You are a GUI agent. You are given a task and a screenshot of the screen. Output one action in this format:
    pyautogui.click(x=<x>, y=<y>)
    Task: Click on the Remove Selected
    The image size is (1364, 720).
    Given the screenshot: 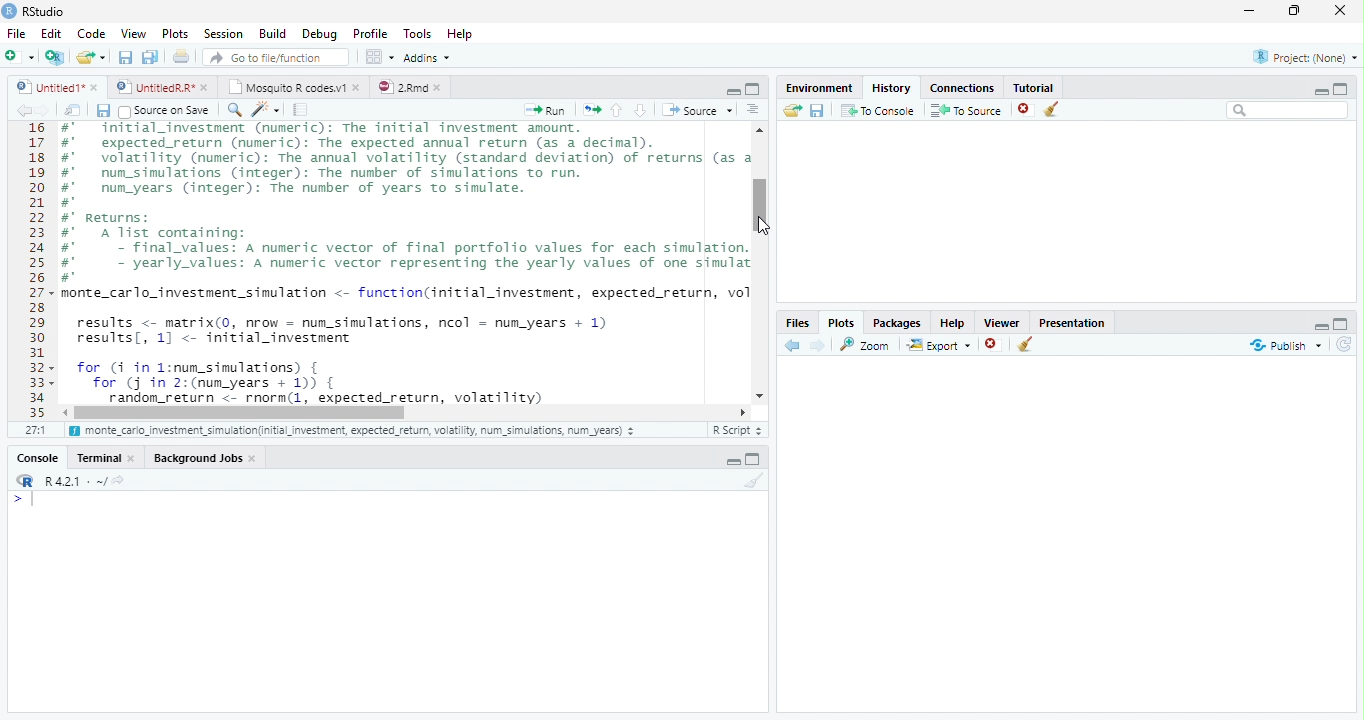 What is the action you would take?
    pyautogui.click(x=1027, y=109)
    